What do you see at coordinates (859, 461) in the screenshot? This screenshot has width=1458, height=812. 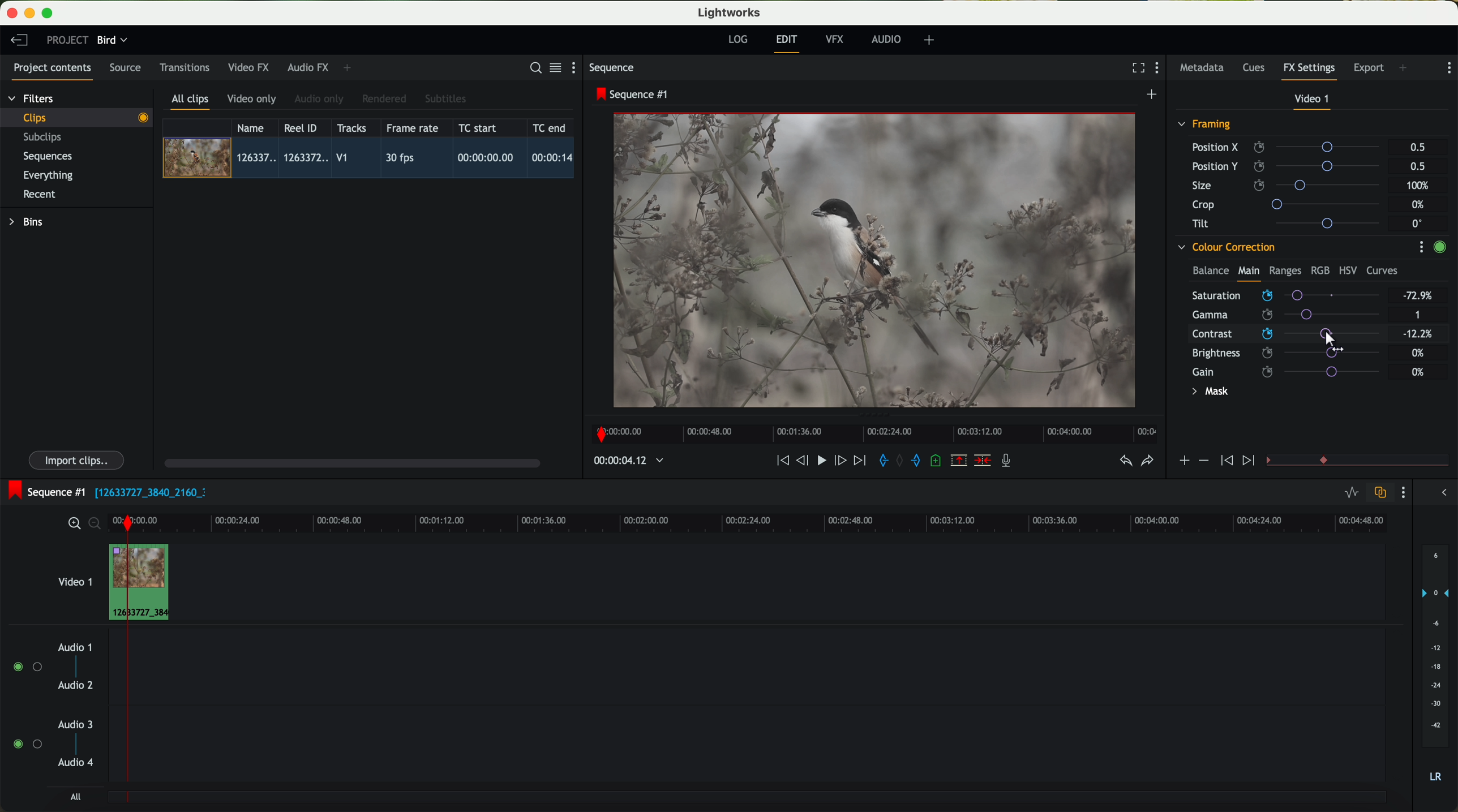 I see `move foward` at bounding box center [859, 461].